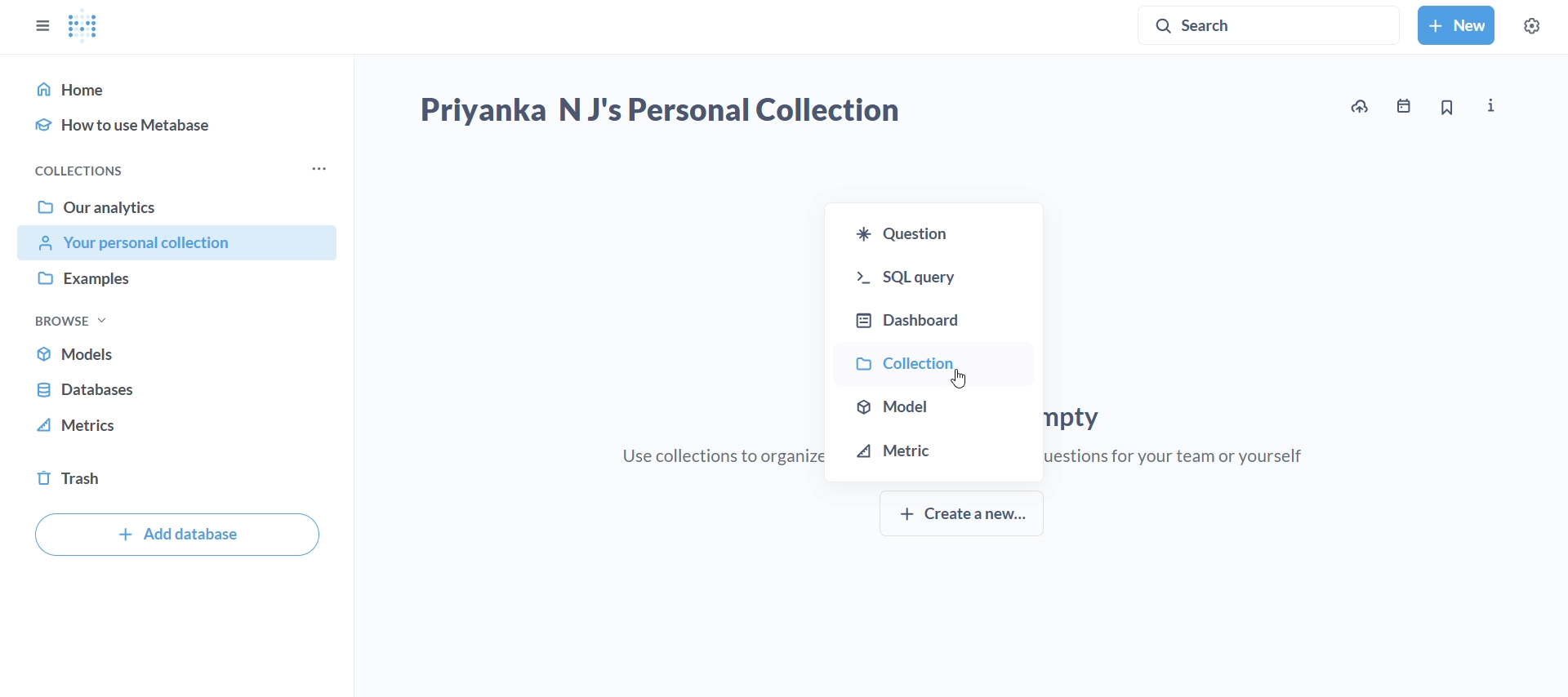 The height and width of the screenshot is (697, 1568). Describe the element at coordinates (176, 353) in the screenshot. I see `models` at that location.